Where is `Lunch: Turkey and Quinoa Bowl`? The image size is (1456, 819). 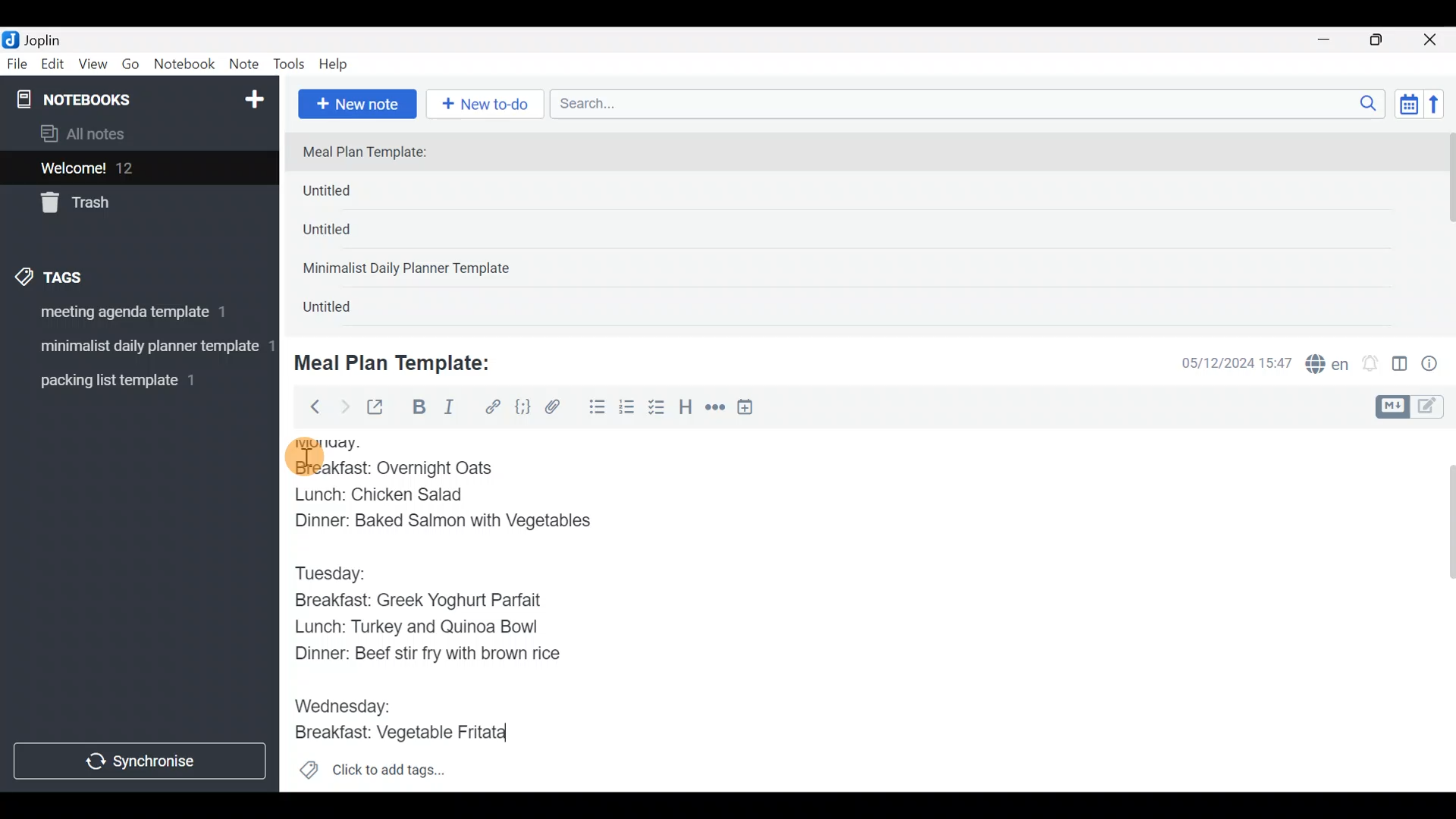 Lunch: Turkey and Quinoa Bowl is located at coordinates (421, 626).